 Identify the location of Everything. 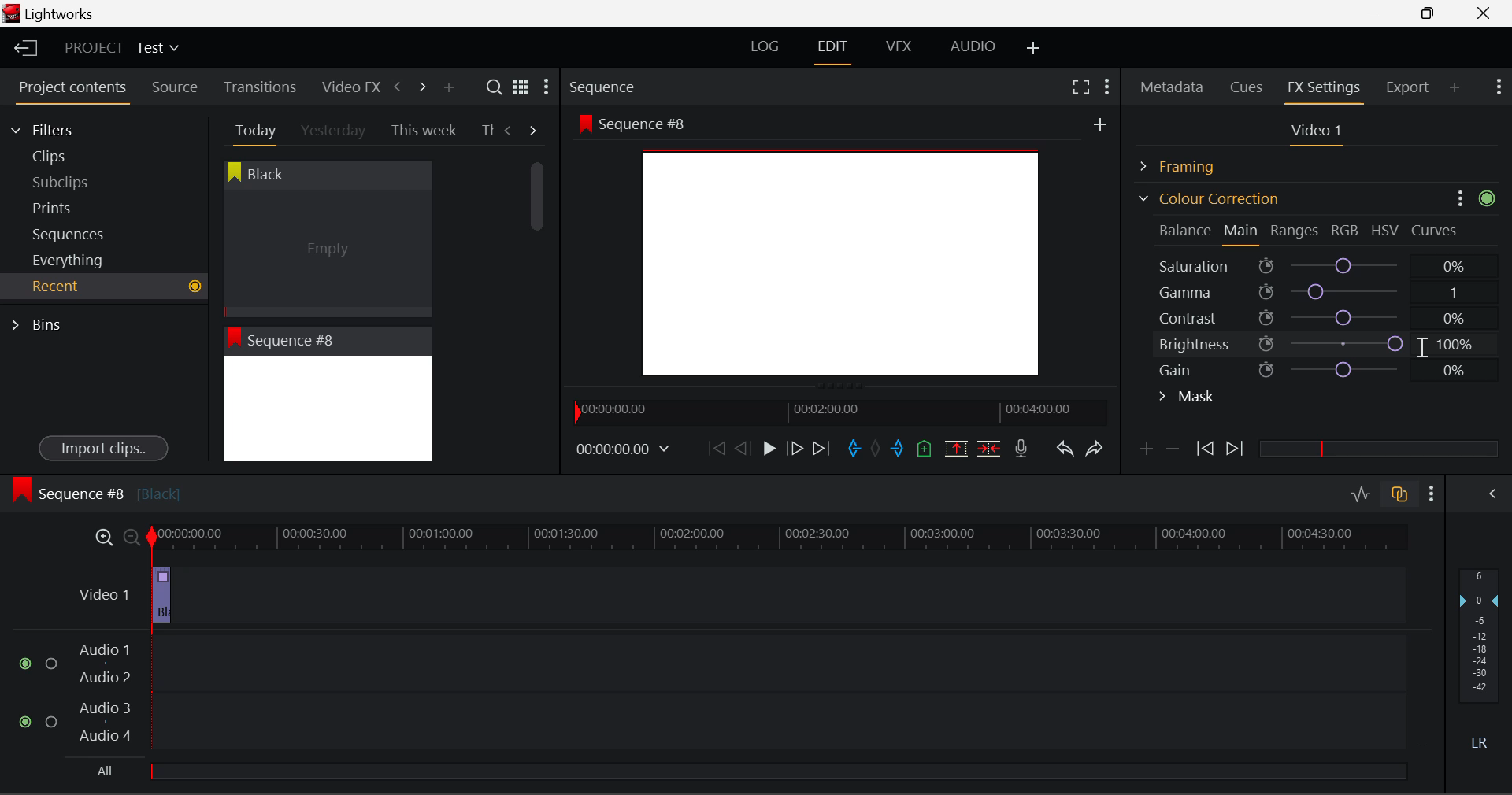
(70, 260).